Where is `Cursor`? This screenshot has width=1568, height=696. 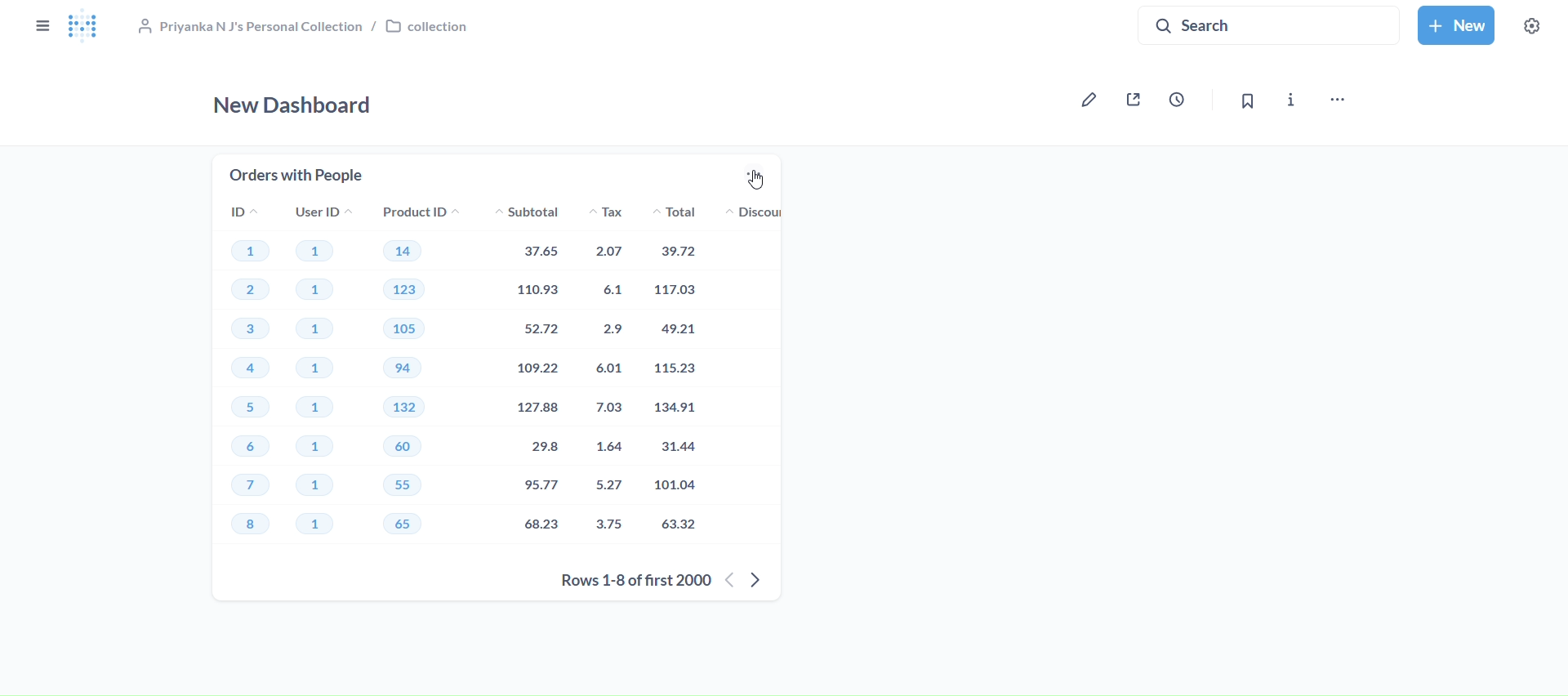
Cursor is located at coordinates (756, 179).